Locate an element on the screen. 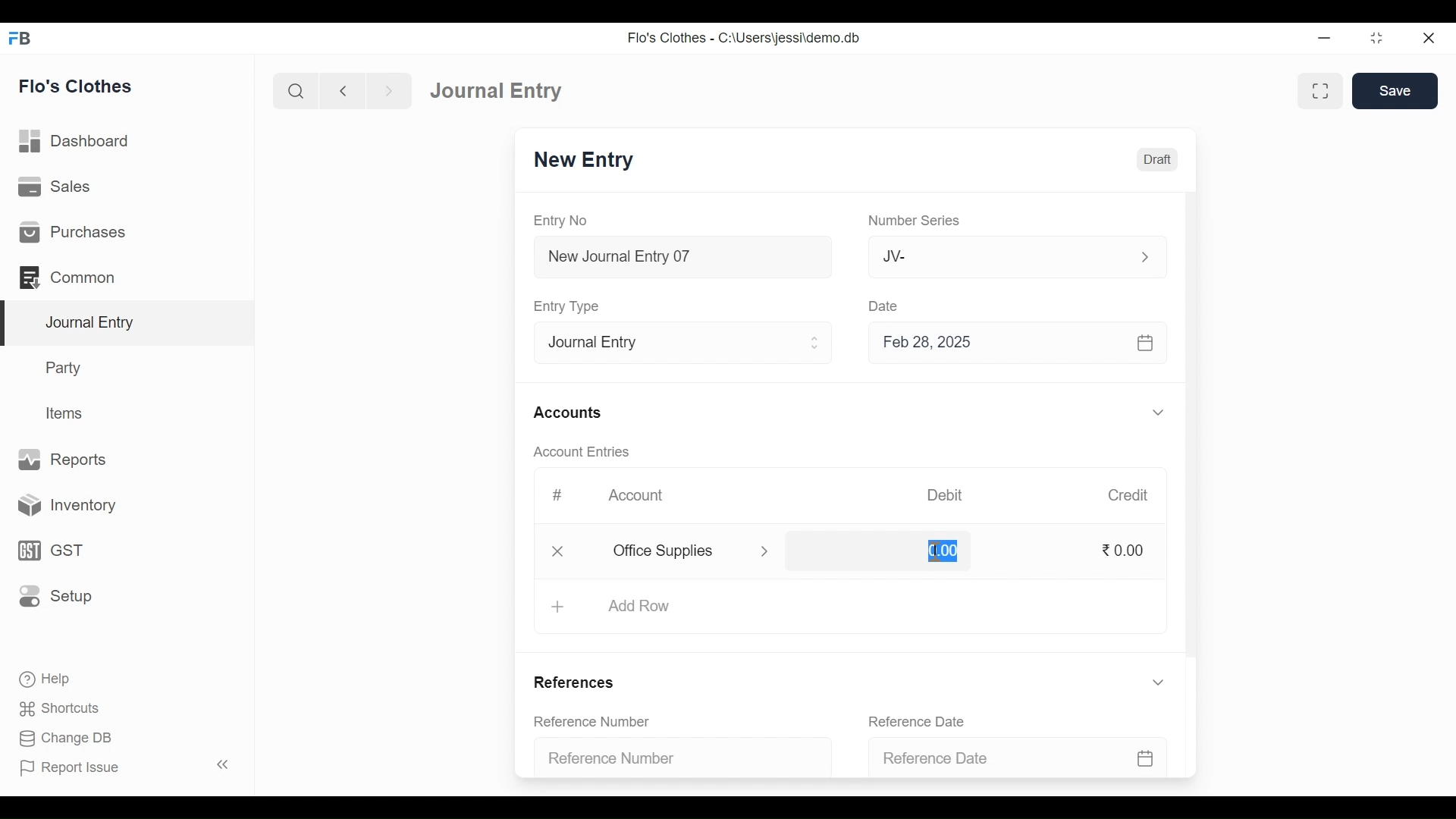  Frappe Books Desktop Icon is located at coordinates (20, 39).